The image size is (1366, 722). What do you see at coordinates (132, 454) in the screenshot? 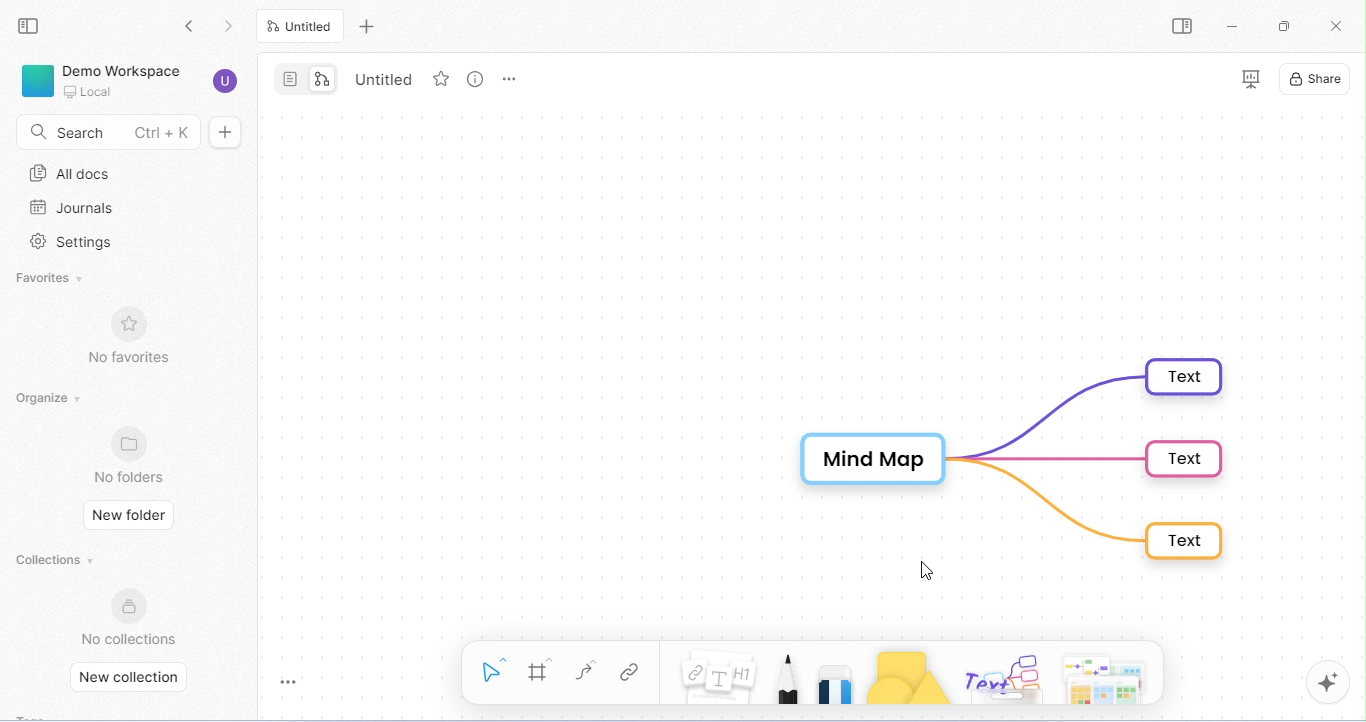
I see `no folders` at bounding box center [132, 454].